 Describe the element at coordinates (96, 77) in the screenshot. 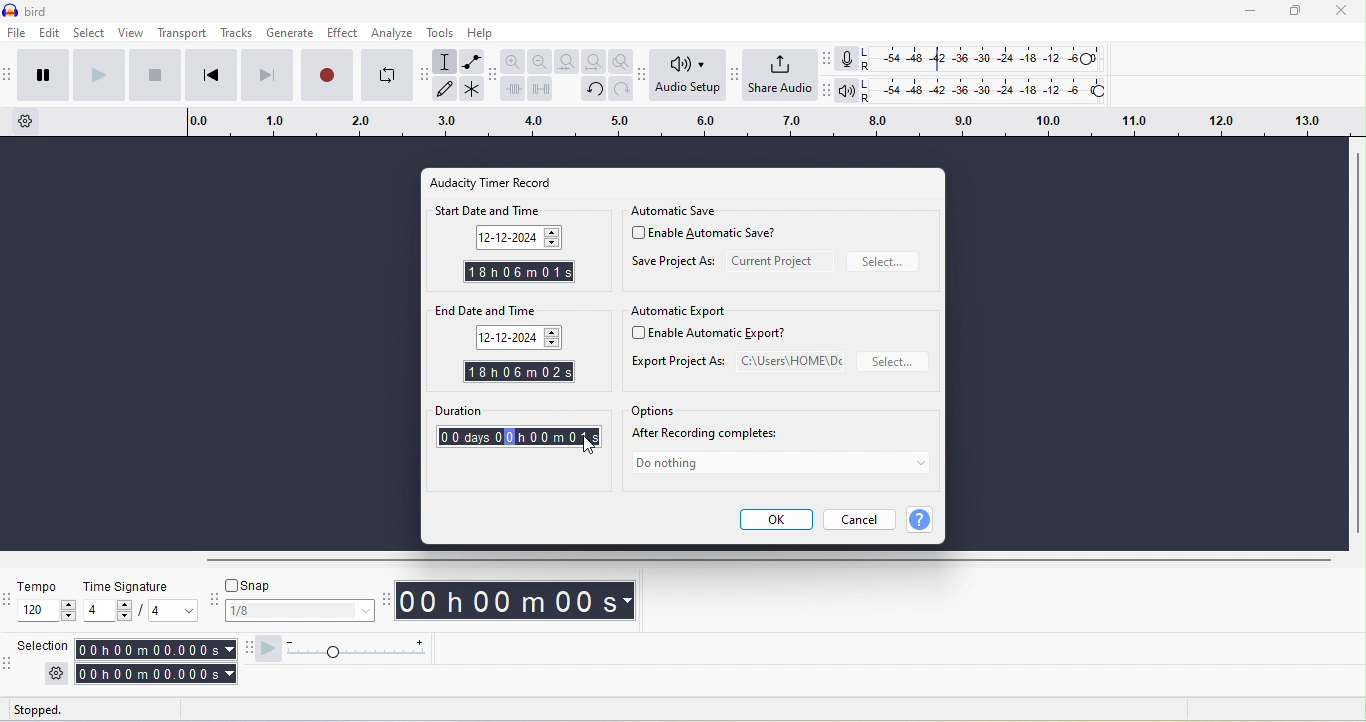

I see `play` at that location.